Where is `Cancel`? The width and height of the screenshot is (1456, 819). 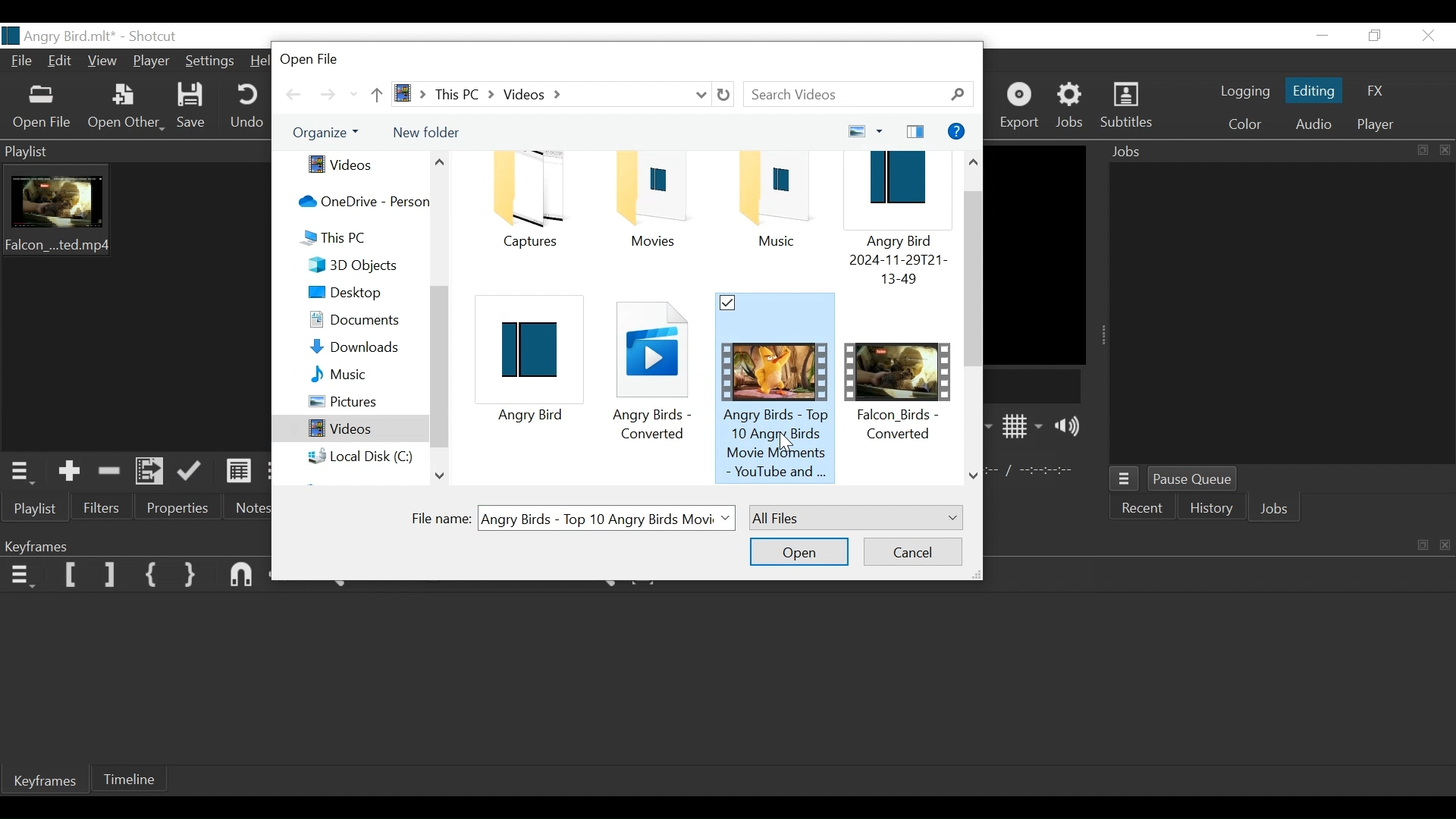 Cancel is located at coordinates (912, 554).